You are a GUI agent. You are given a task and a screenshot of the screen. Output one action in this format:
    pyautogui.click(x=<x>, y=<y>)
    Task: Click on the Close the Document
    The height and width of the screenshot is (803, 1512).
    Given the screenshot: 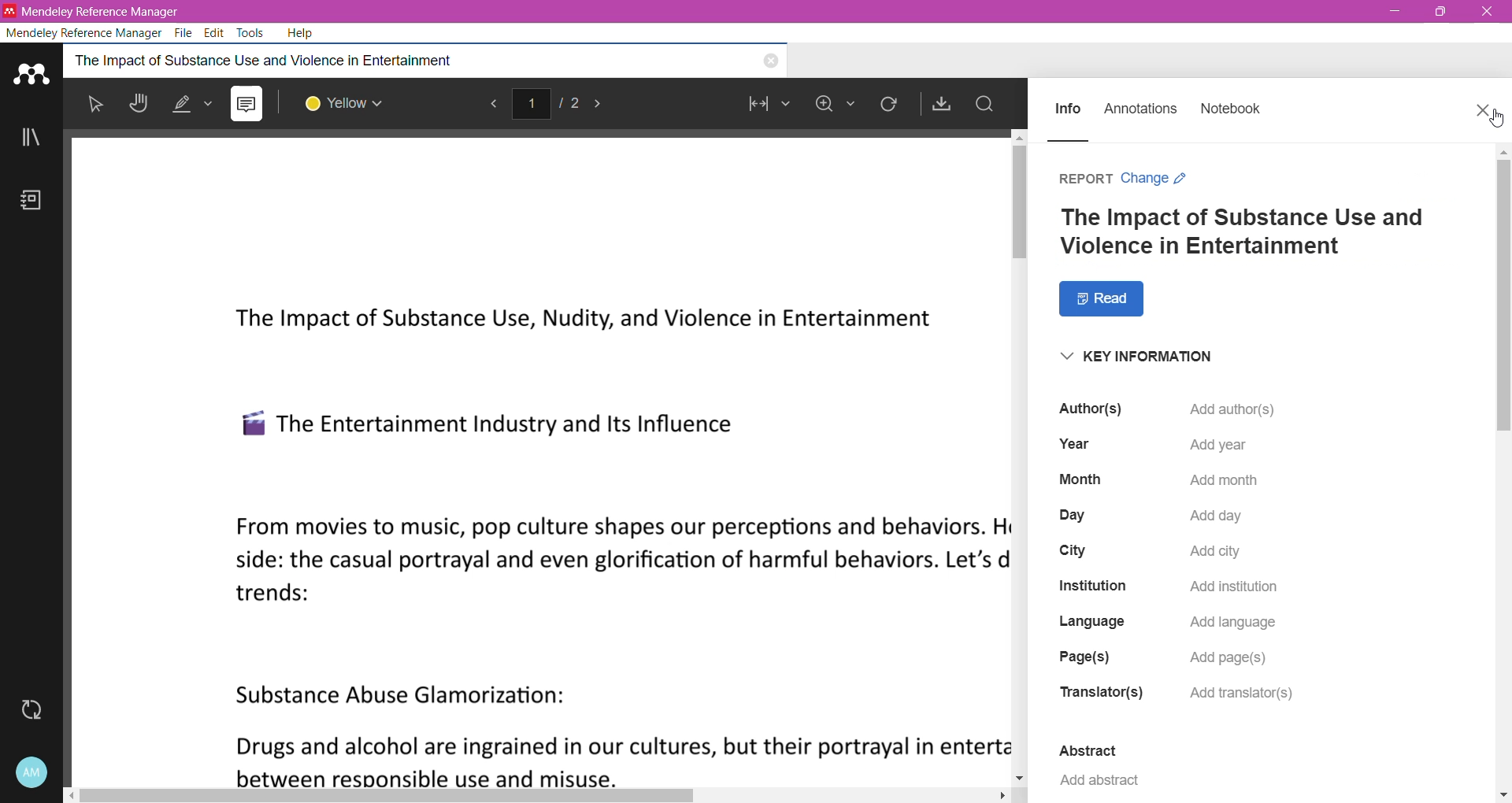 What is the action you would take?
    pyautogui.click(x=770, y=62)
    